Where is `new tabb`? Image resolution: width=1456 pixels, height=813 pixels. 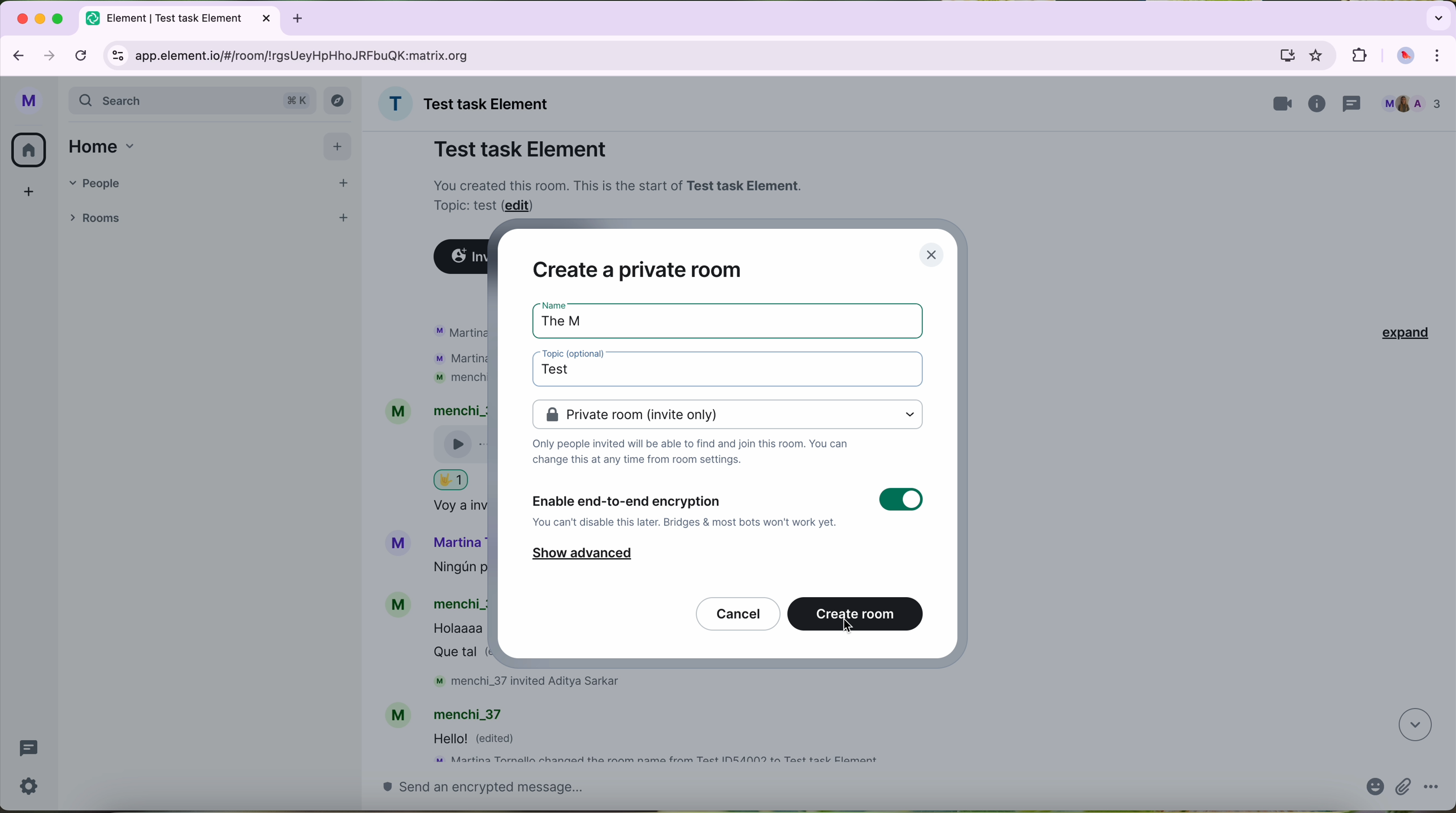
new tabb is located at coordinates (302, 18).